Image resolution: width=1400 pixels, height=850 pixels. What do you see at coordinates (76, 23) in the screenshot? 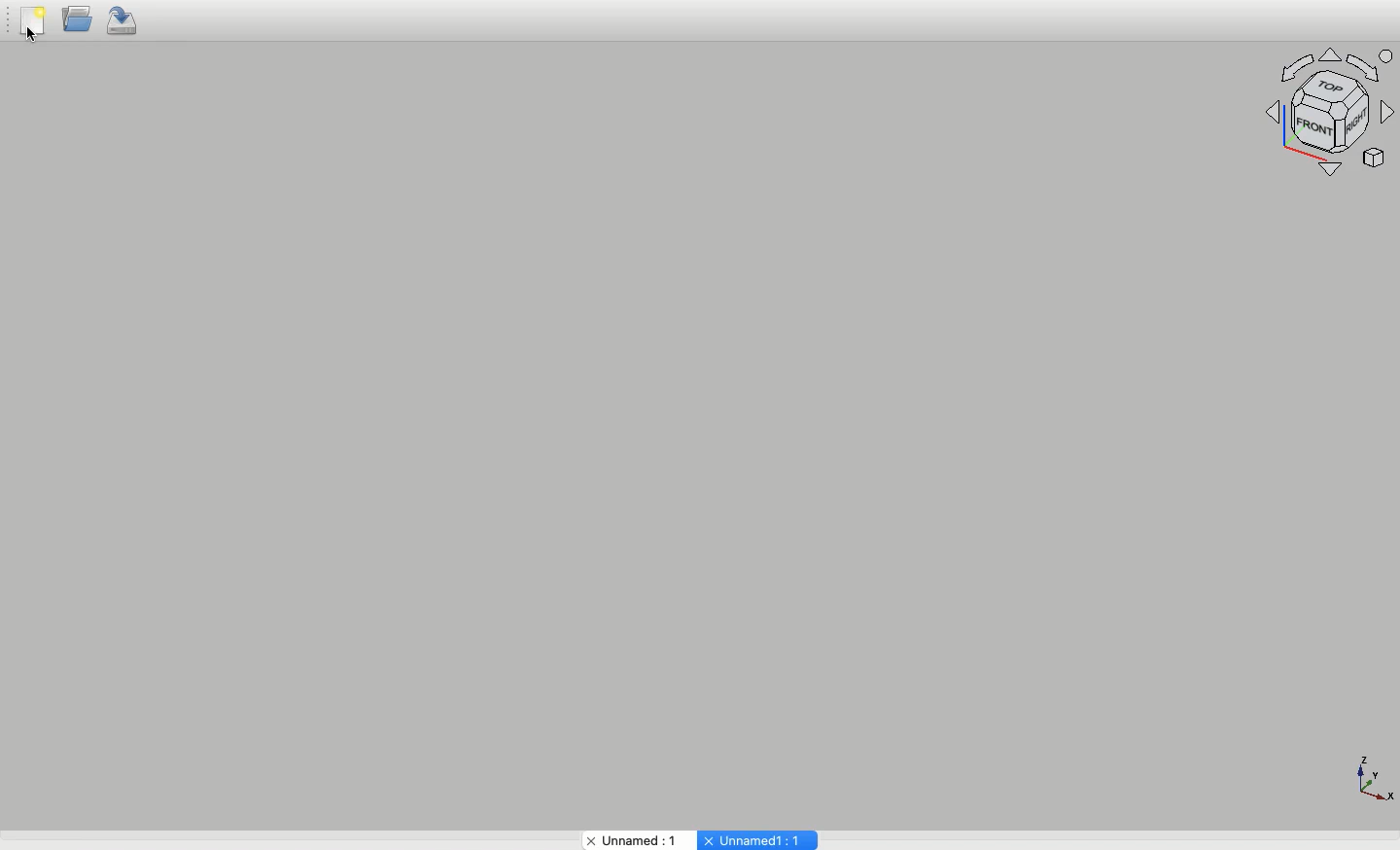
I see `Open` at bounding box center [76, 23].